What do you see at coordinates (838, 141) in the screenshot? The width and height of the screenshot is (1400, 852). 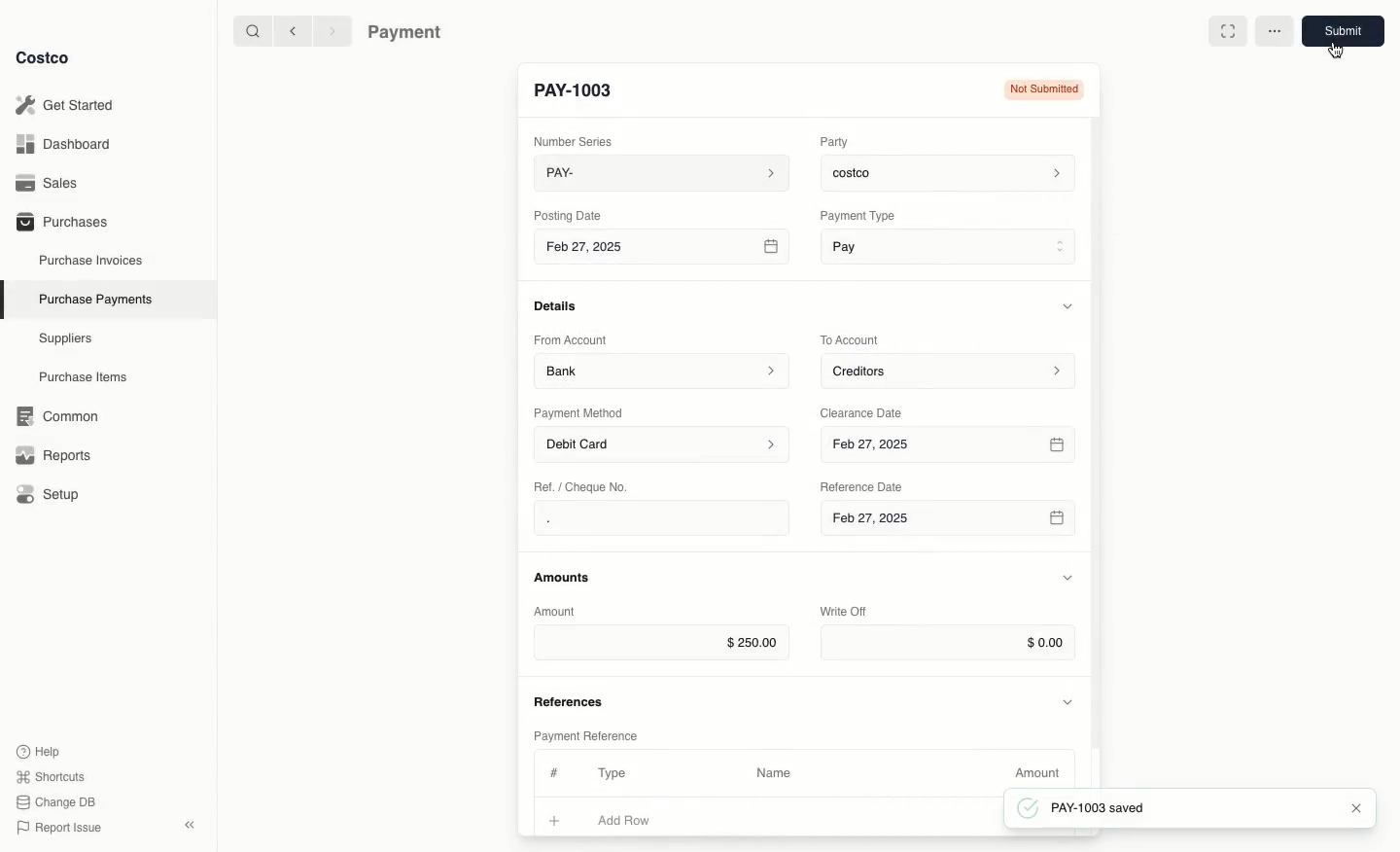 I see `Party` at bounding box center [838, 141].